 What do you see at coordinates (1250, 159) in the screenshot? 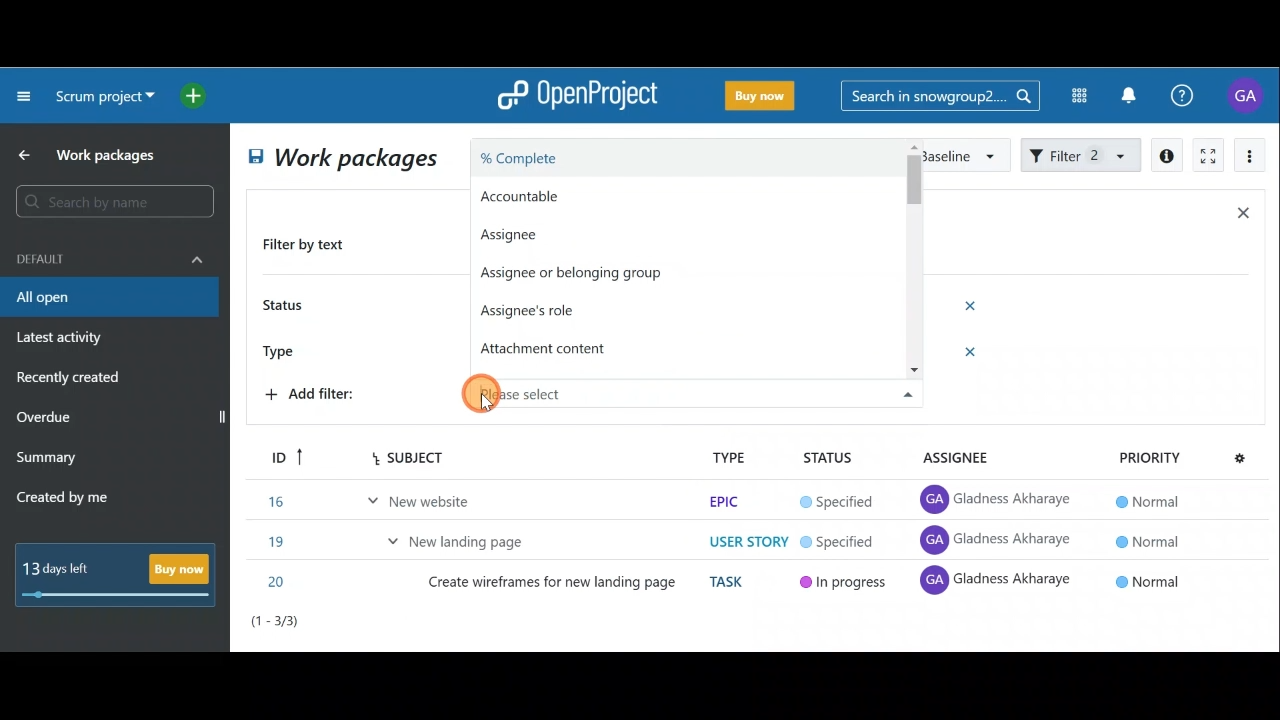
I see `More actions` at bounding box center [1250, 159].